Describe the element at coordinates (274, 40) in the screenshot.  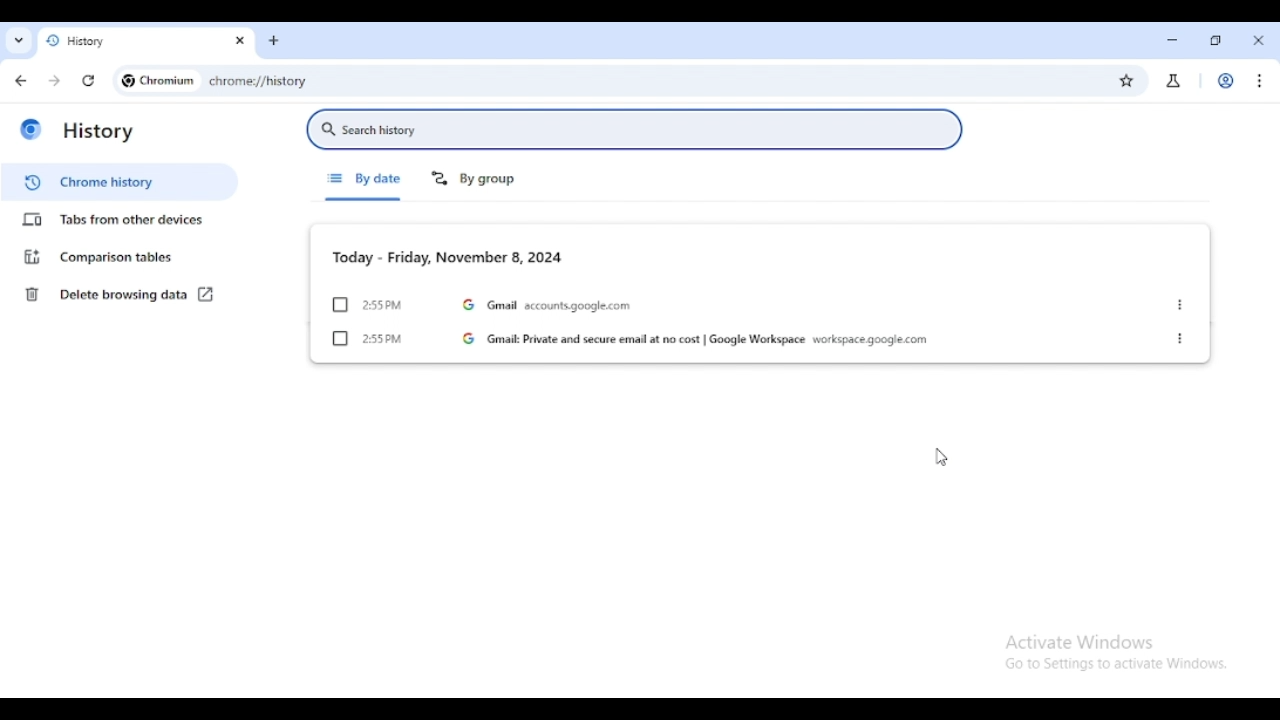
I see `new tab` at that location.